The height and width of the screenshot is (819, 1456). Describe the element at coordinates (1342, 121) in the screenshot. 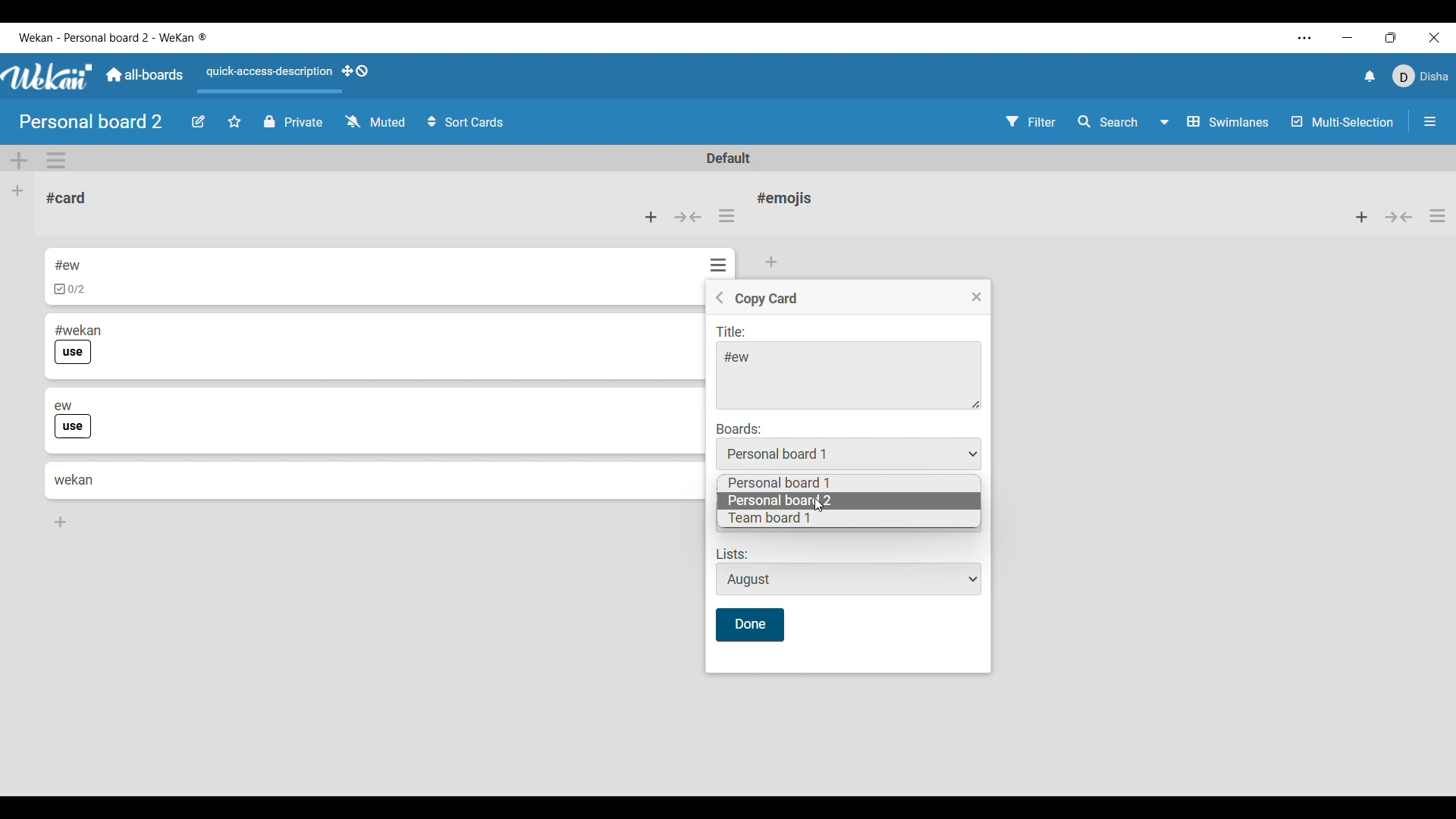

I see `Toggle for multi-selection` at that location.